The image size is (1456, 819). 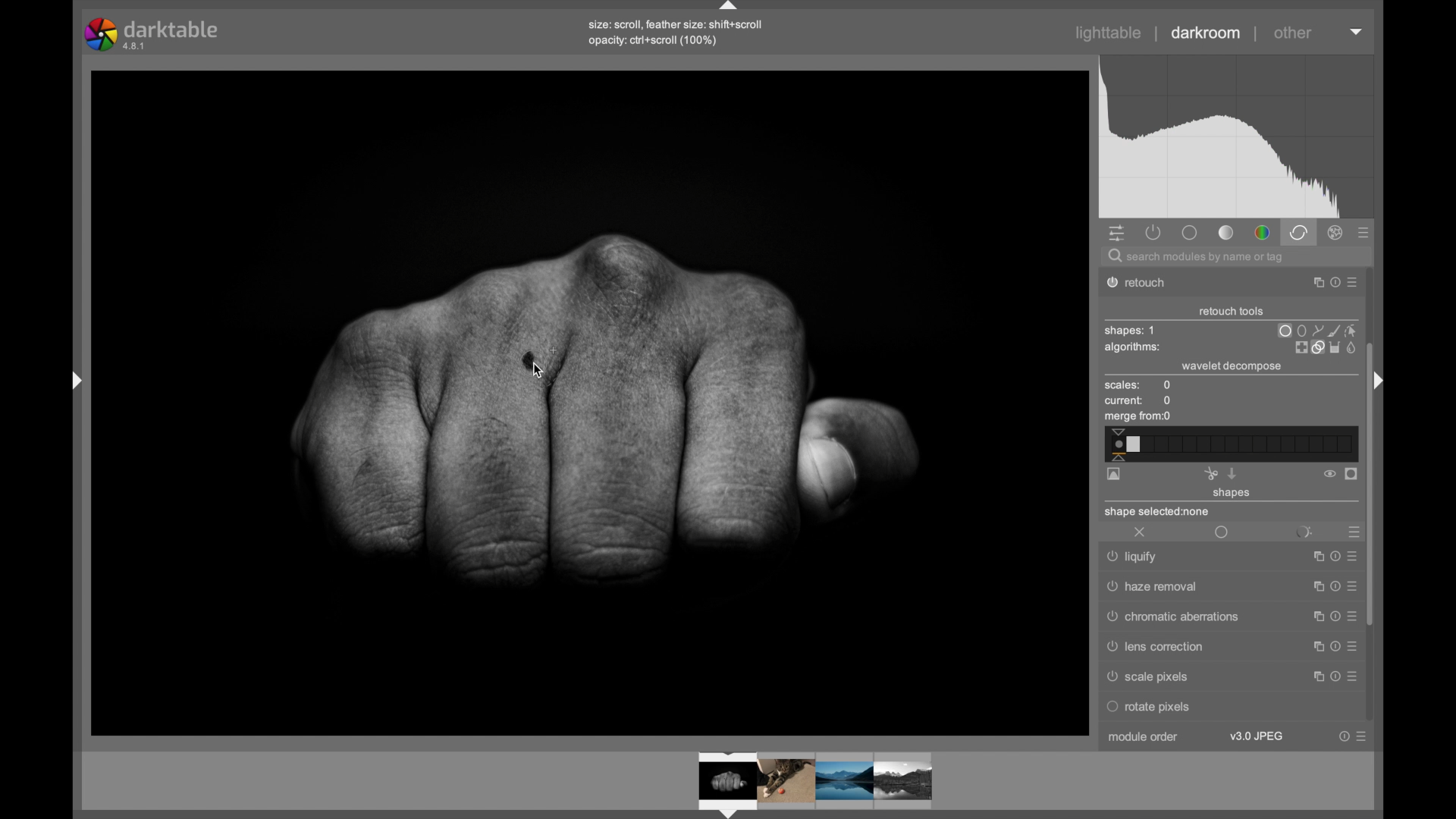 What do you see at coordinates (1197, 258) in the screenshot?
I see `search modules by name or tag` at bounding box center [1197, 258].